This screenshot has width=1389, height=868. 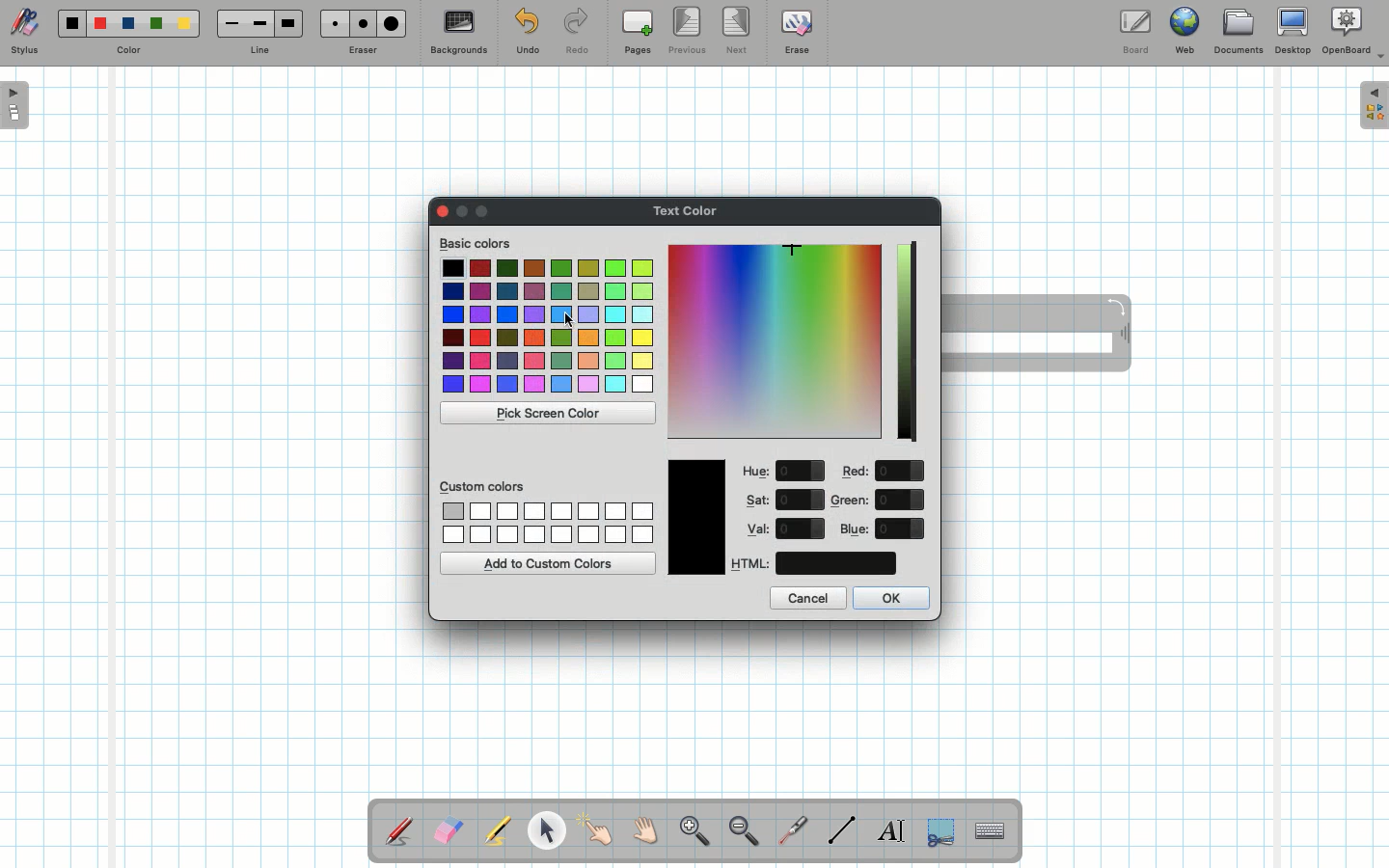 What do you see at coordinates (758, 529) in the screenshot?
I see `Val` at bounding box center [758, 529].